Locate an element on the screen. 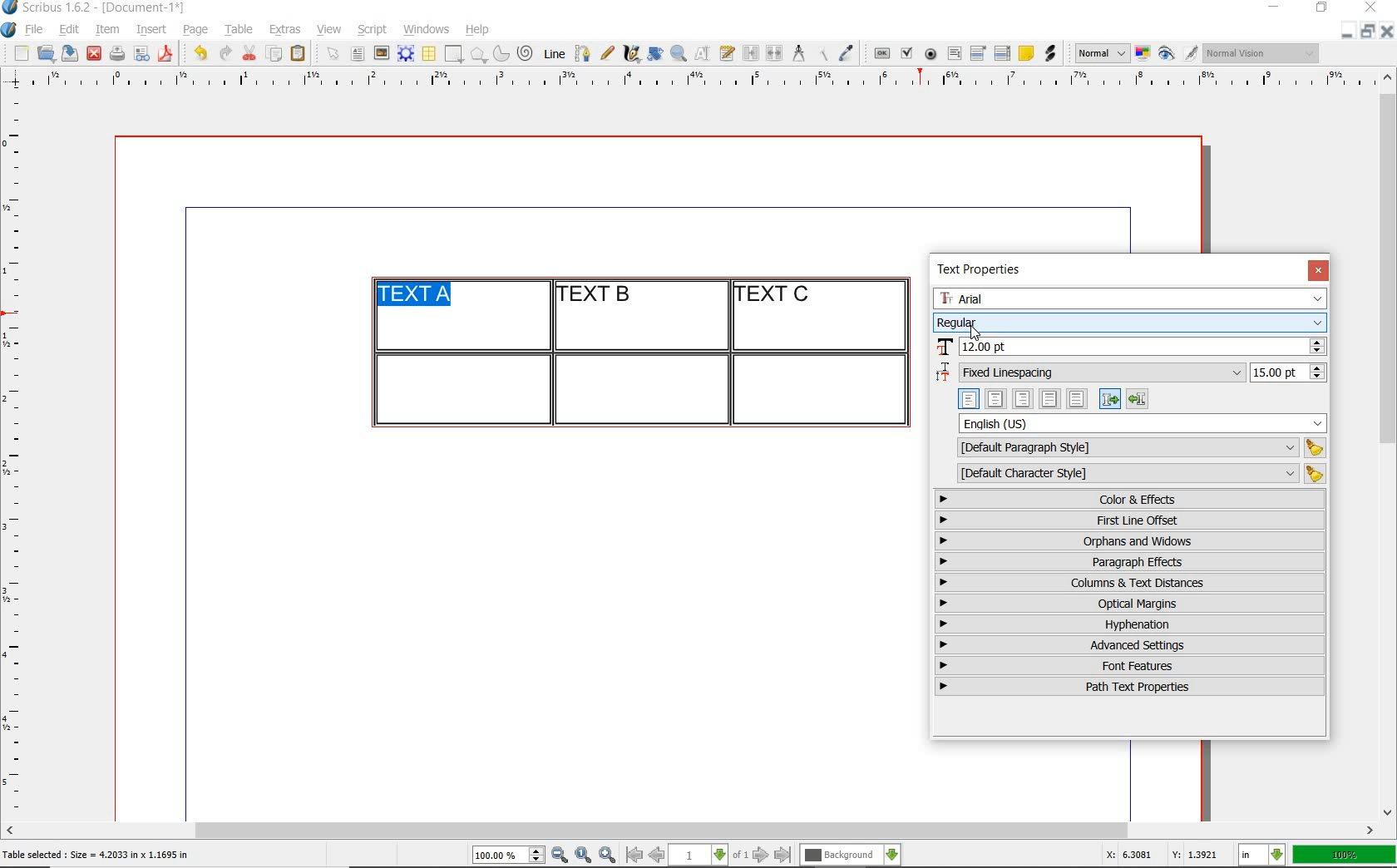 This screenshot has height=868, width=1397. eye dropper is located at coordinates (846, 55).